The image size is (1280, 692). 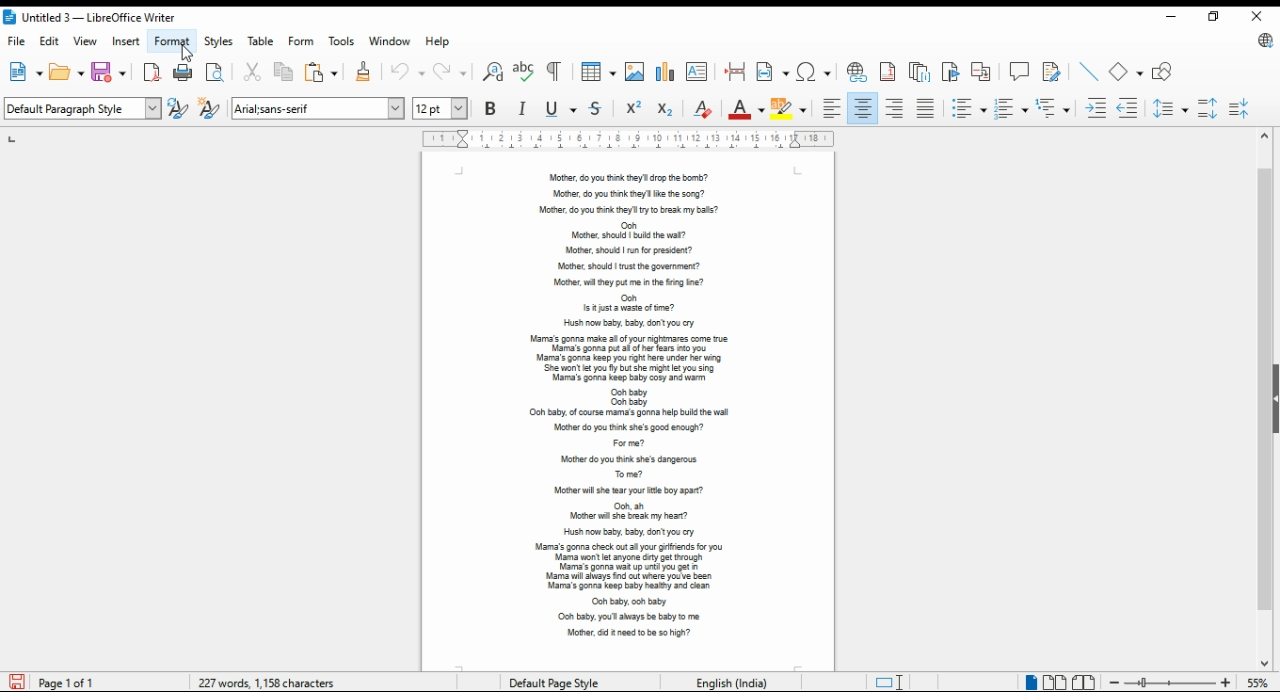 I want to click on file, so click(x=17, y=43).